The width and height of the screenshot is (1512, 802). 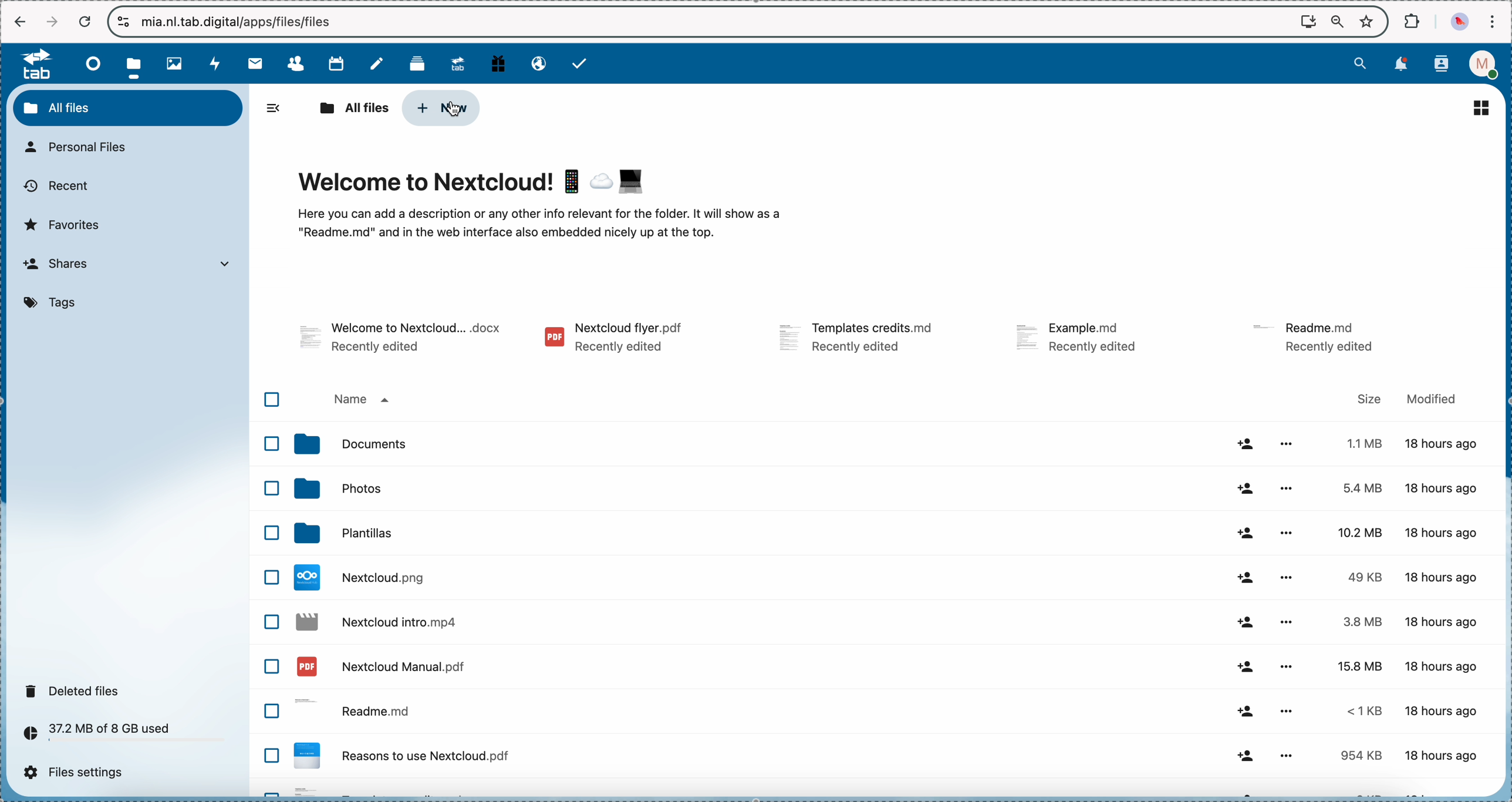 I want to click on share, so click(x=1246, y=713).